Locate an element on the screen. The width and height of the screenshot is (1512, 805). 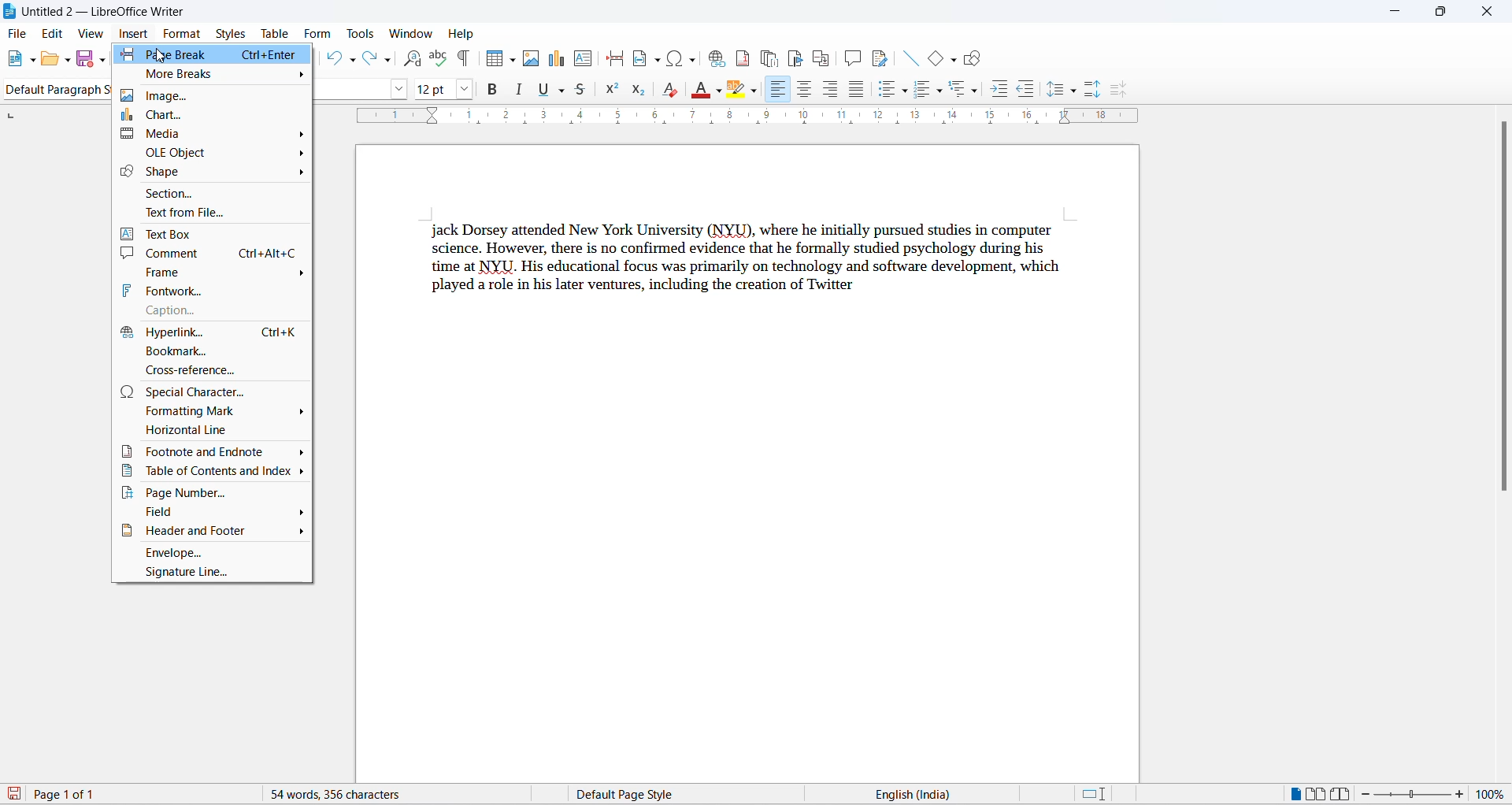
bookmark is located at coordinates (211, 351).